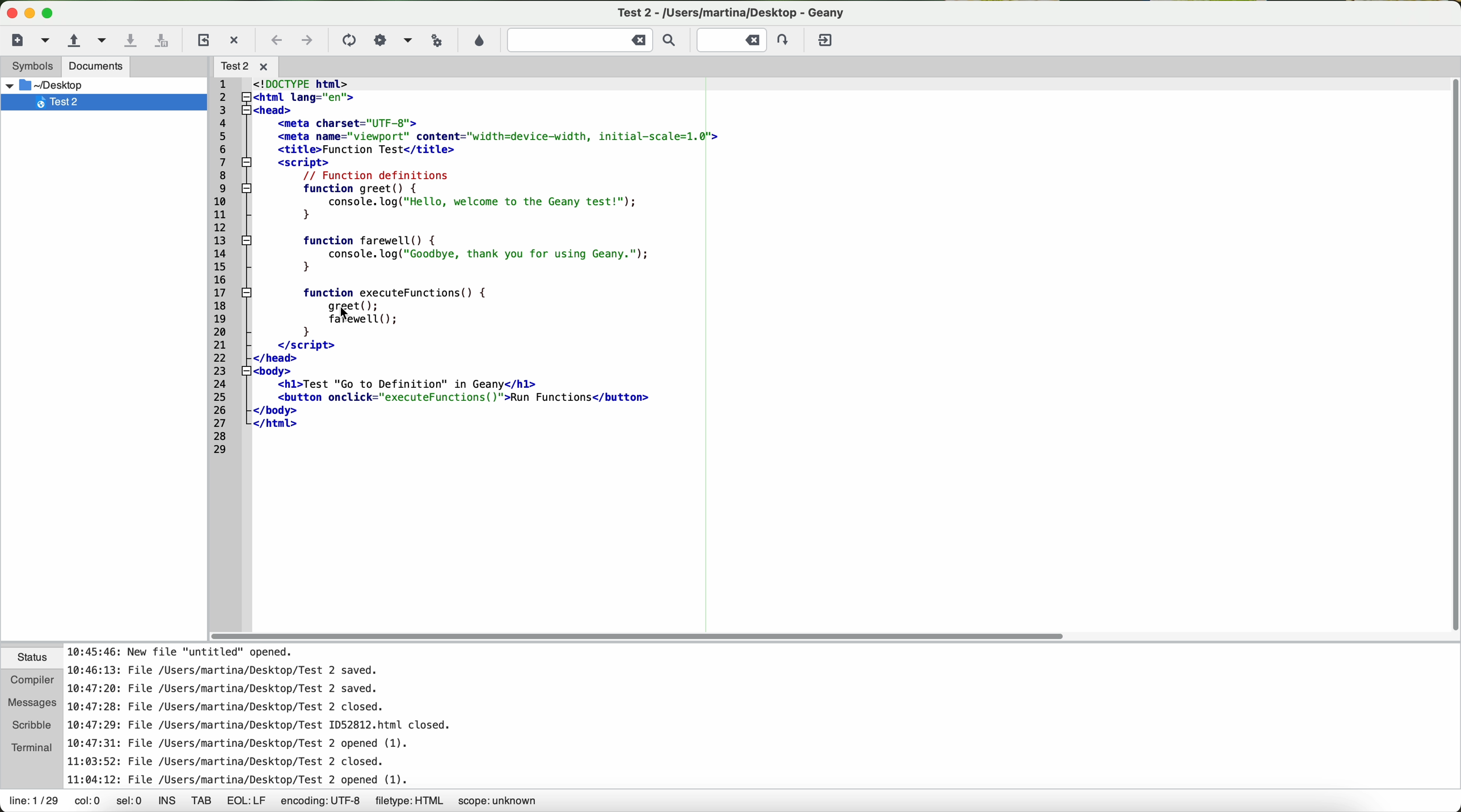 The image size is (1461, 812). What do you see at coordinates (136, 40) in the screenshot?
I see `save the current file` at bounding box center [136, 40].